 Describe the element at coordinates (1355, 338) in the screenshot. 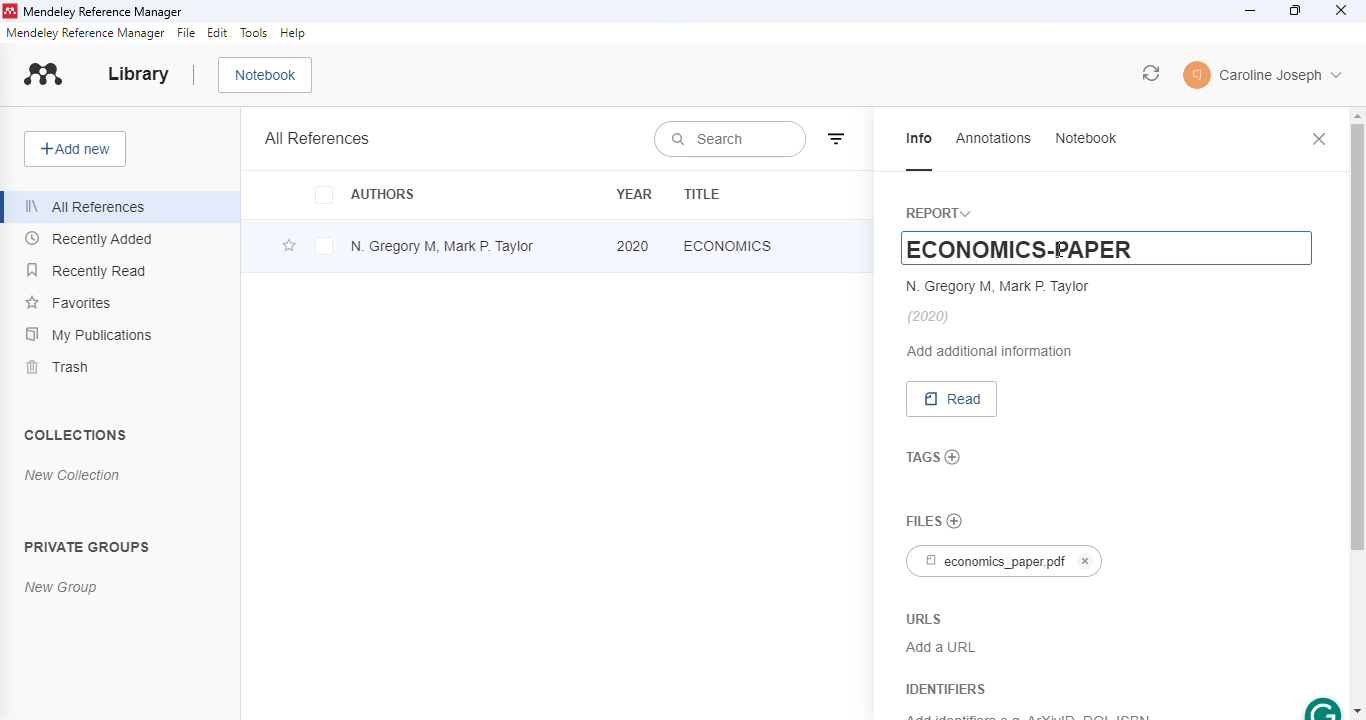

I see `vertical scroll bar` at that location.